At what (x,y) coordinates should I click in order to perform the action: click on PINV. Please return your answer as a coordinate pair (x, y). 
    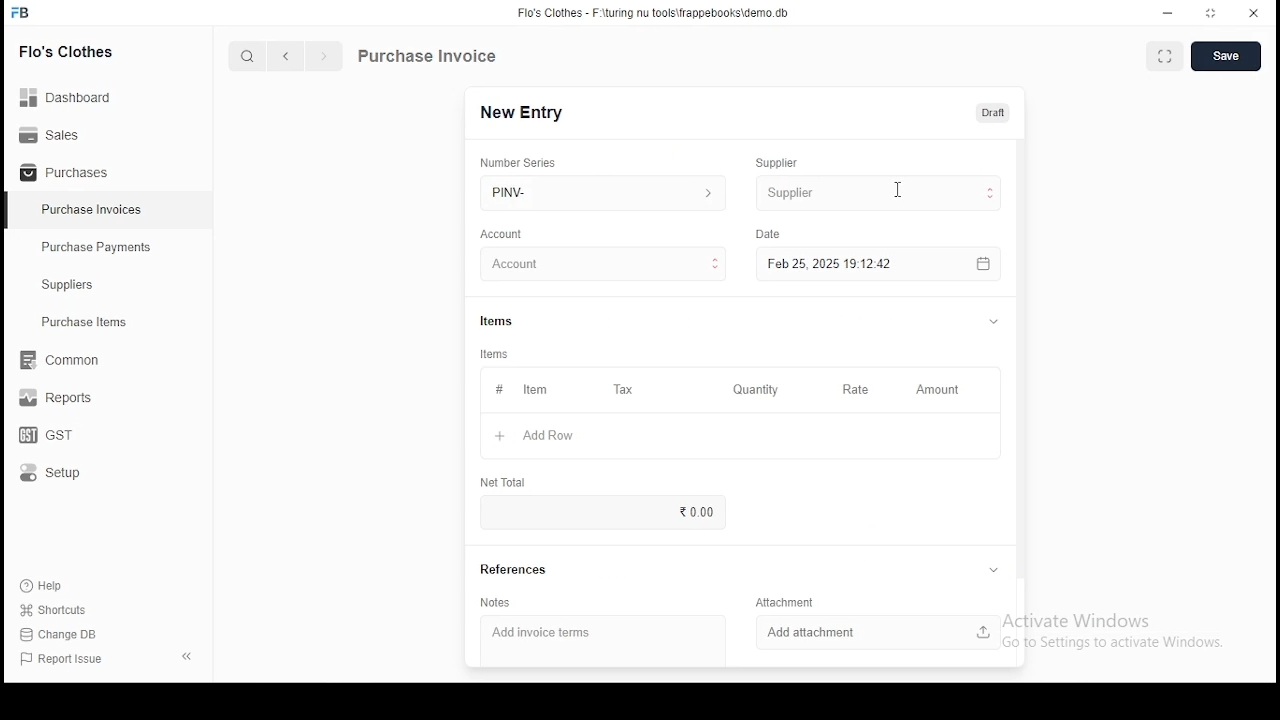
    Looking at the image, I should click on (603, 190).